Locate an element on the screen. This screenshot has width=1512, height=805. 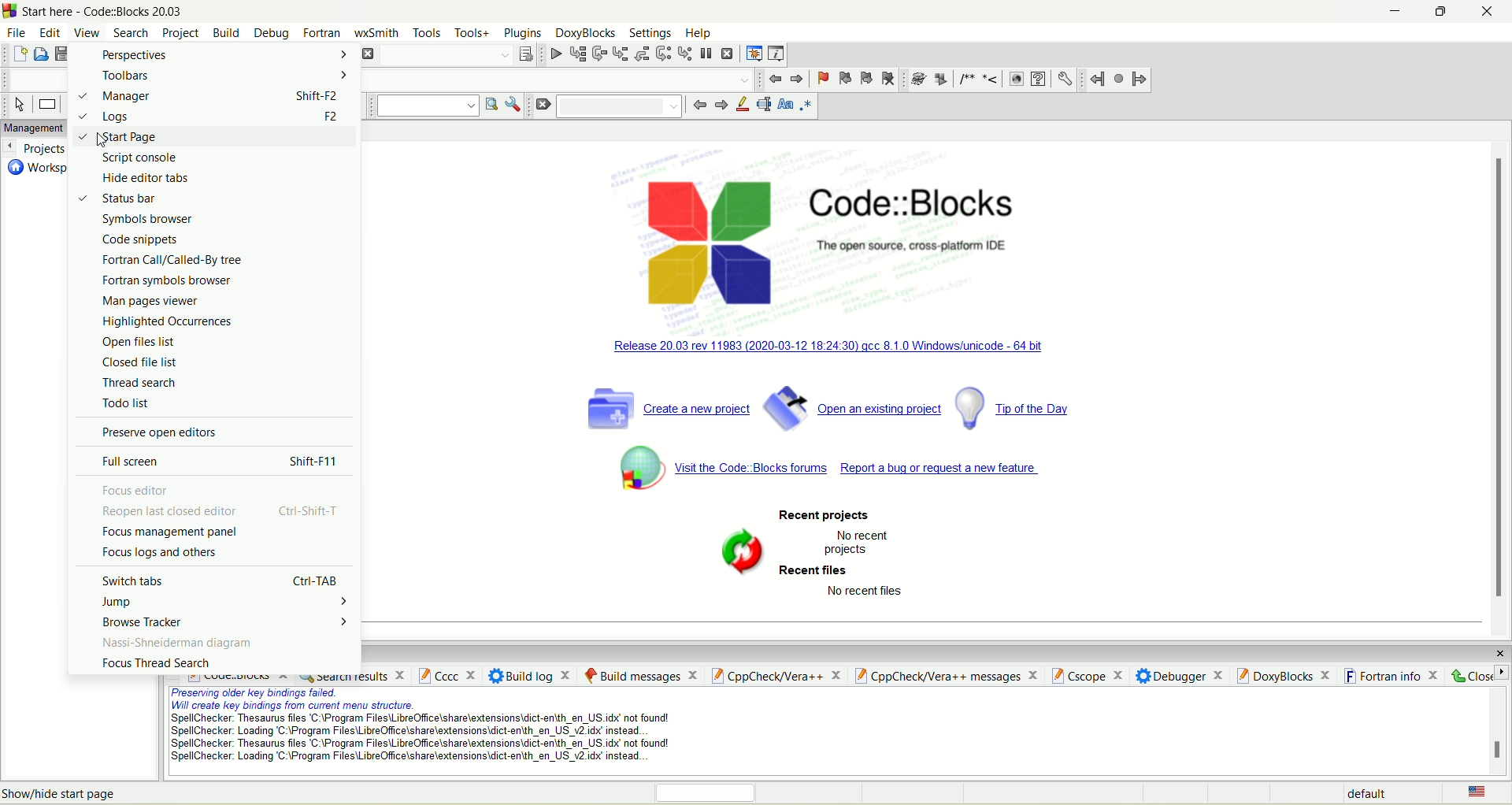
maximize is located at coordinates (1440, 14).